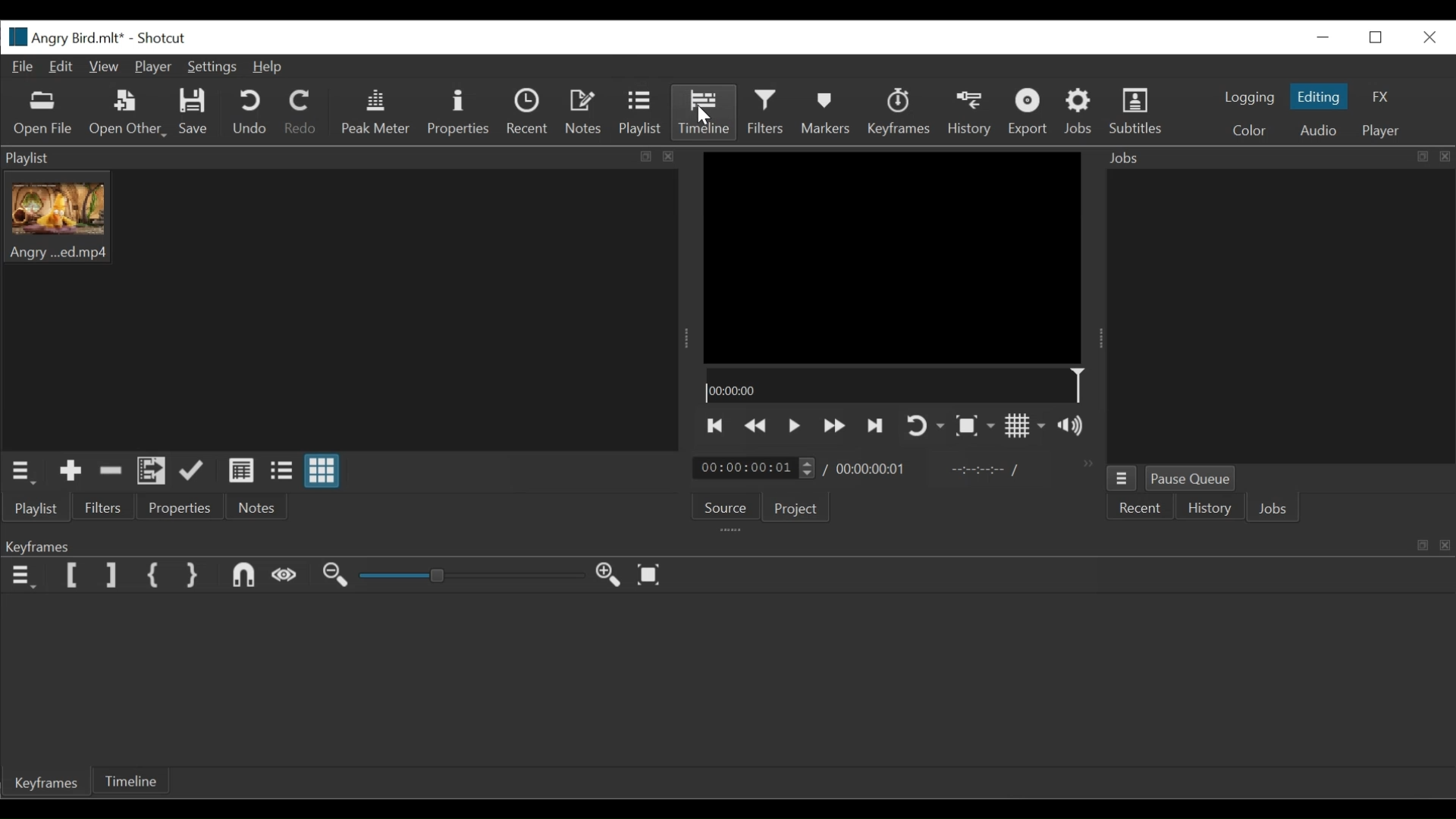 The width and height of the screenshot is (1456, 819). Describe the element at coordinates (926, 425) in the screenshot. I see `Toggle player looping` at that location.